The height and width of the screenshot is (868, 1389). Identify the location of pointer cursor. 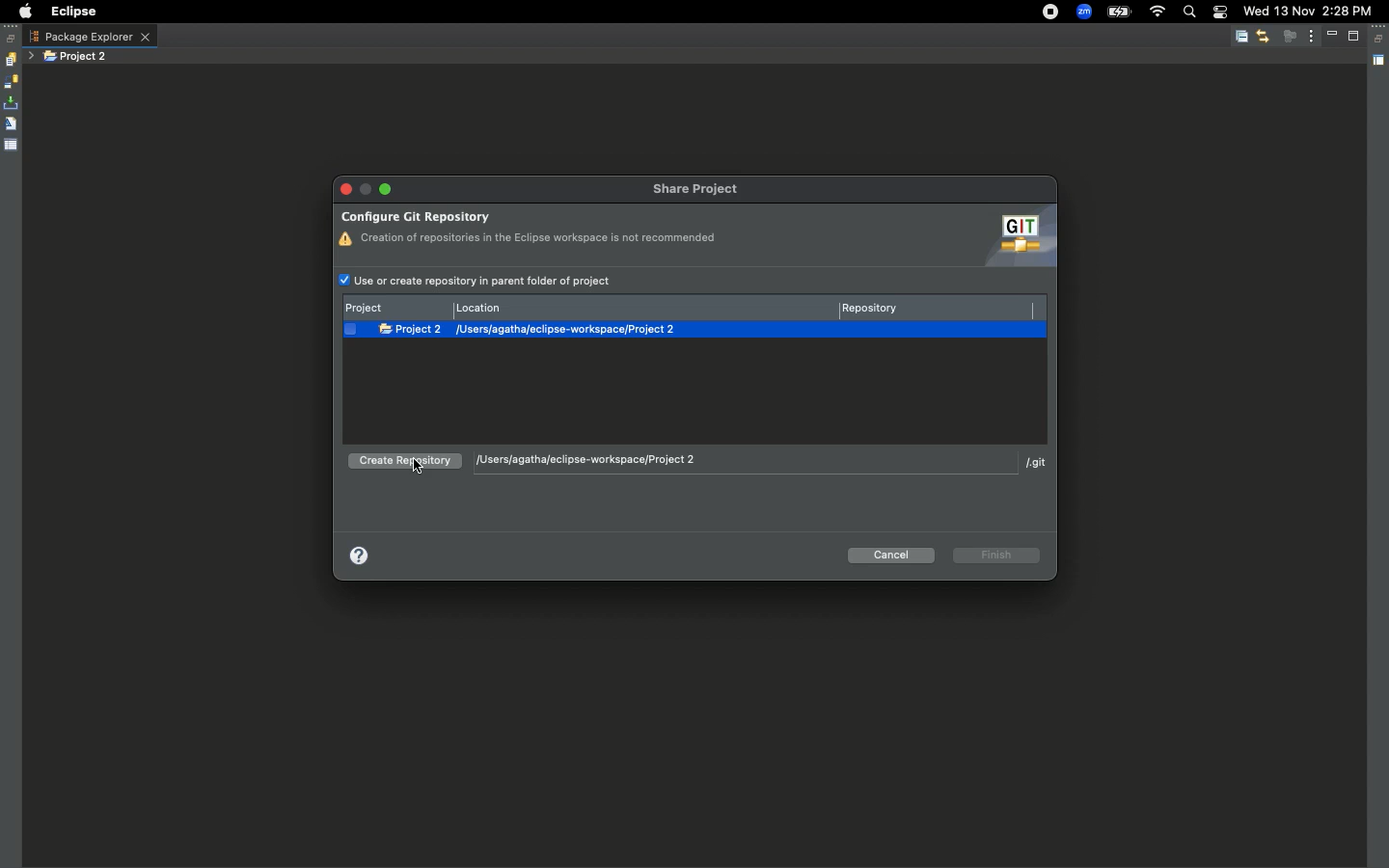
(419, 468).